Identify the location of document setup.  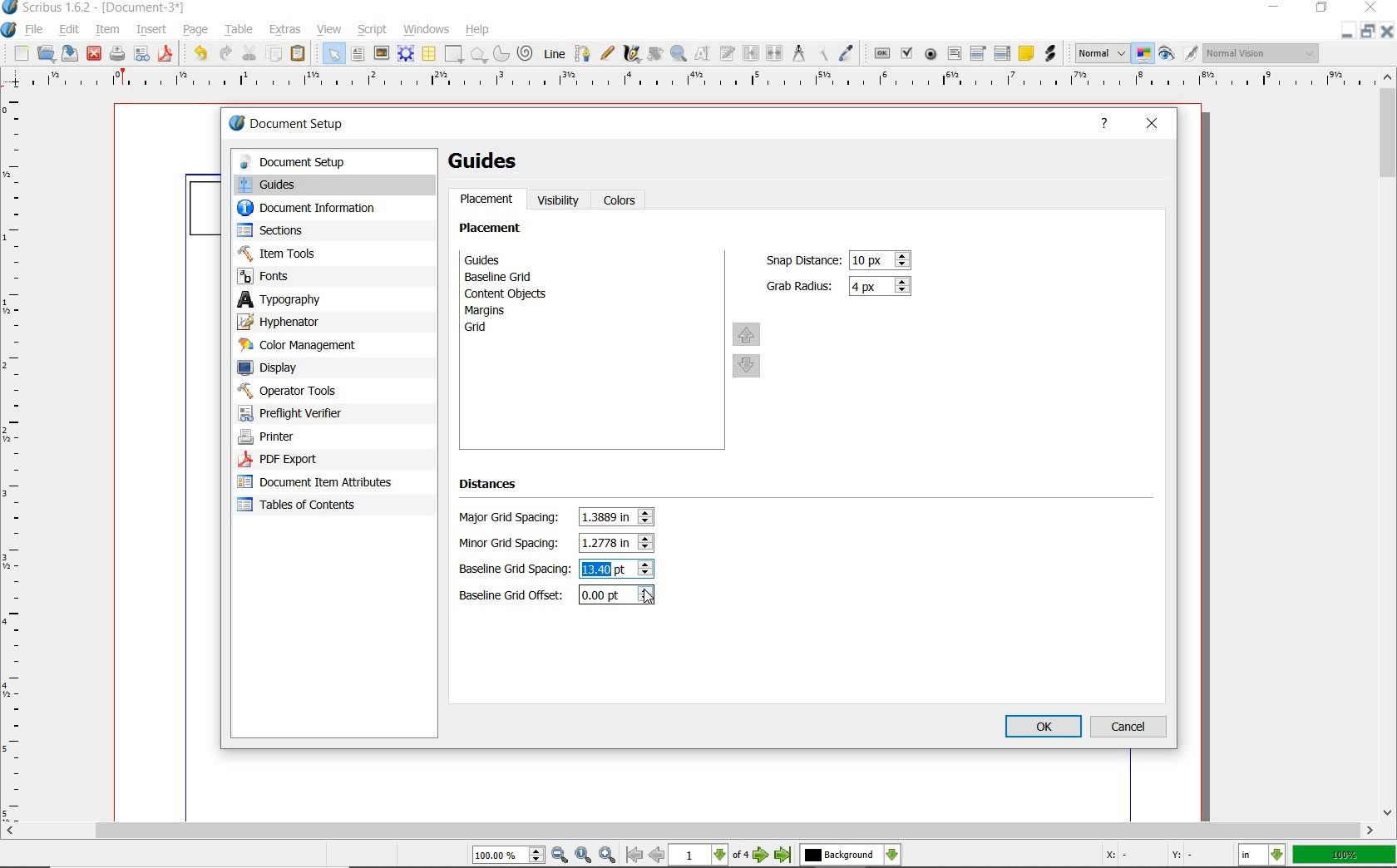
(305, 126).